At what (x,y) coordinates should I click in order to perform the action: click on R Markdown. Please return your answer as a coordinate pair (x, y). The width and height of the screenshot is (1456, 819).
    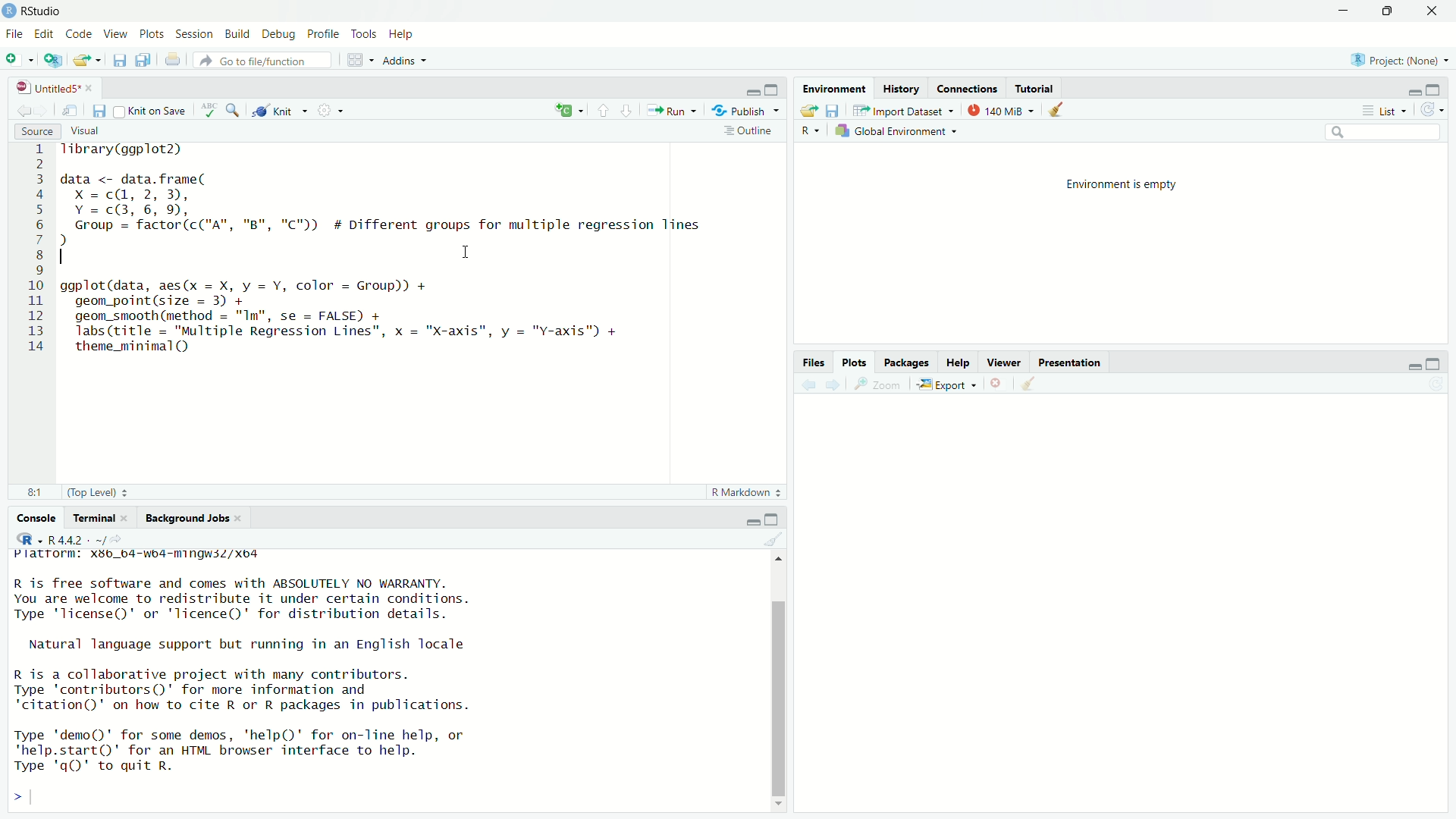
    Looking at the image, I should click on (744, 493).